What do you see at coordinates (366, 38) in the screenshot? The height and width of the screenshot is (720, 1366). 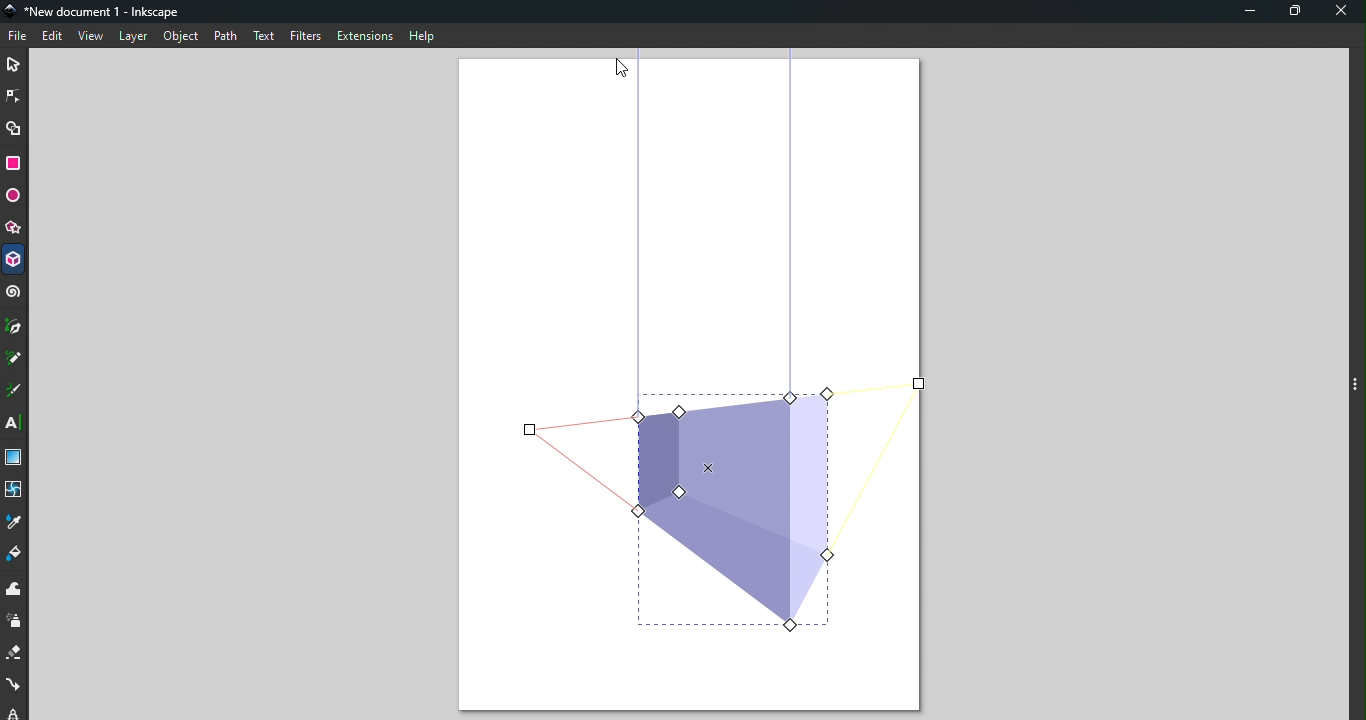 I see `Extensions` at bounding box center [366, 38].